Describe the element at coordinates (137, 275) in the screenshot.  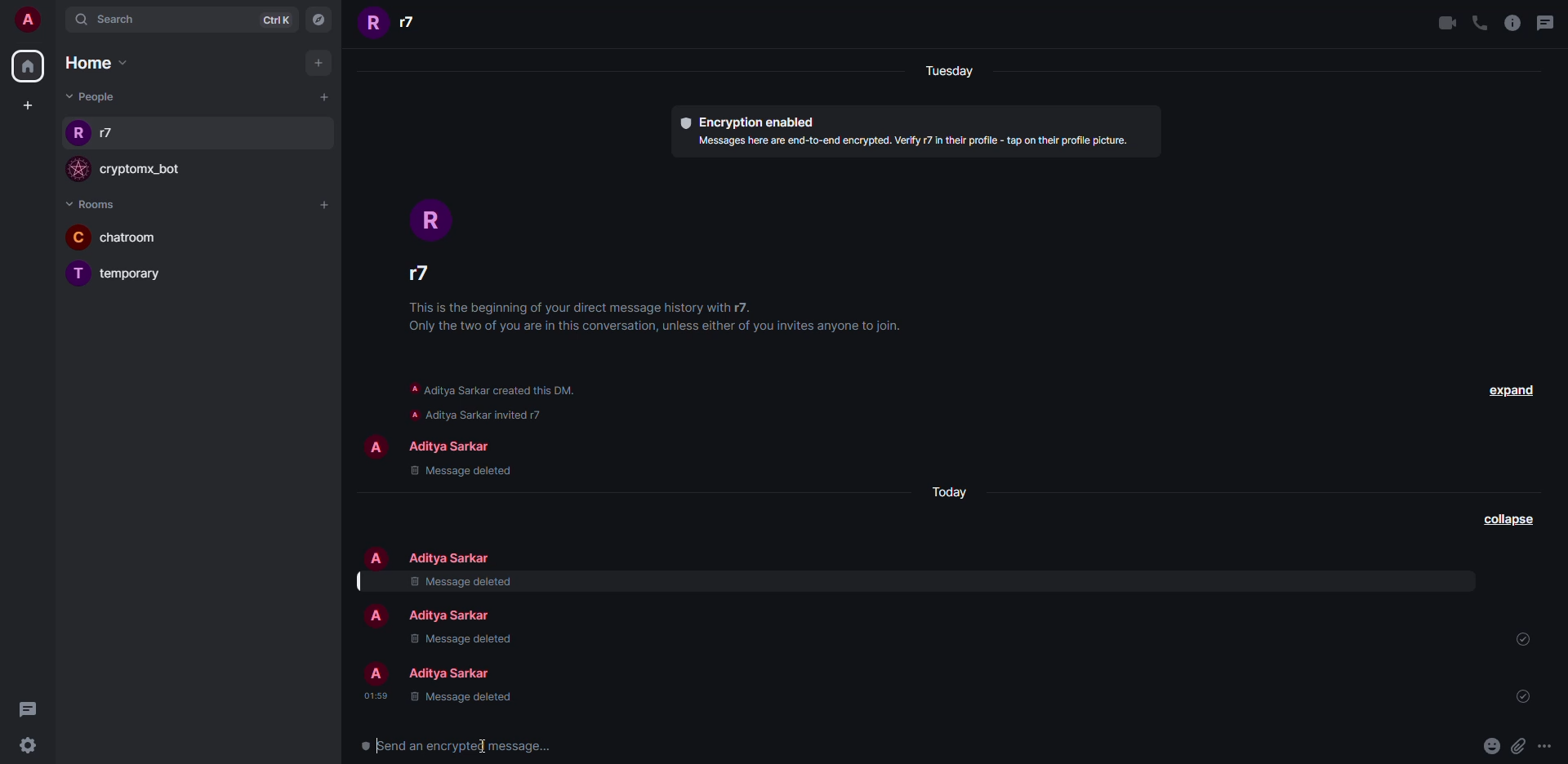
I see `room` at that location.